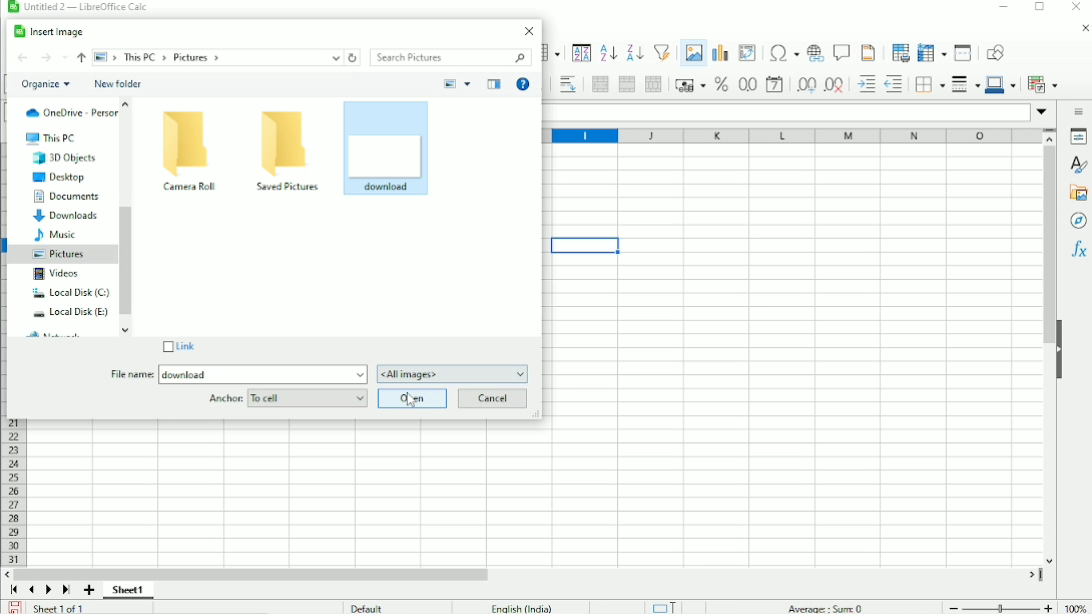  Describe the element at coordinates (1076, 220) in the screenshot. I see `Navigator` at that location.